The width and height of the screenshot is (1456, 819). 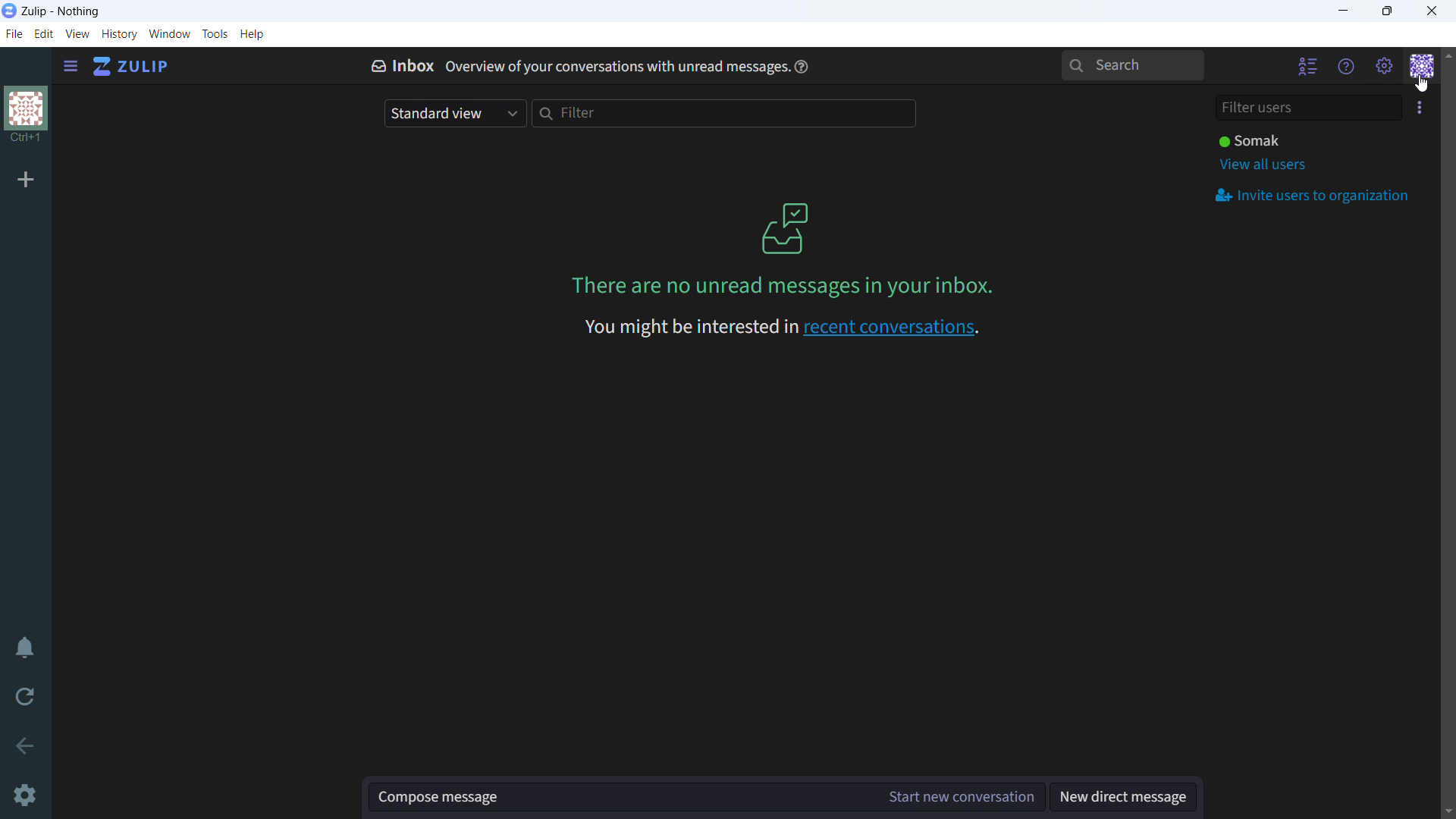 I want to click on scroll up, so click(x=1447, y=54).